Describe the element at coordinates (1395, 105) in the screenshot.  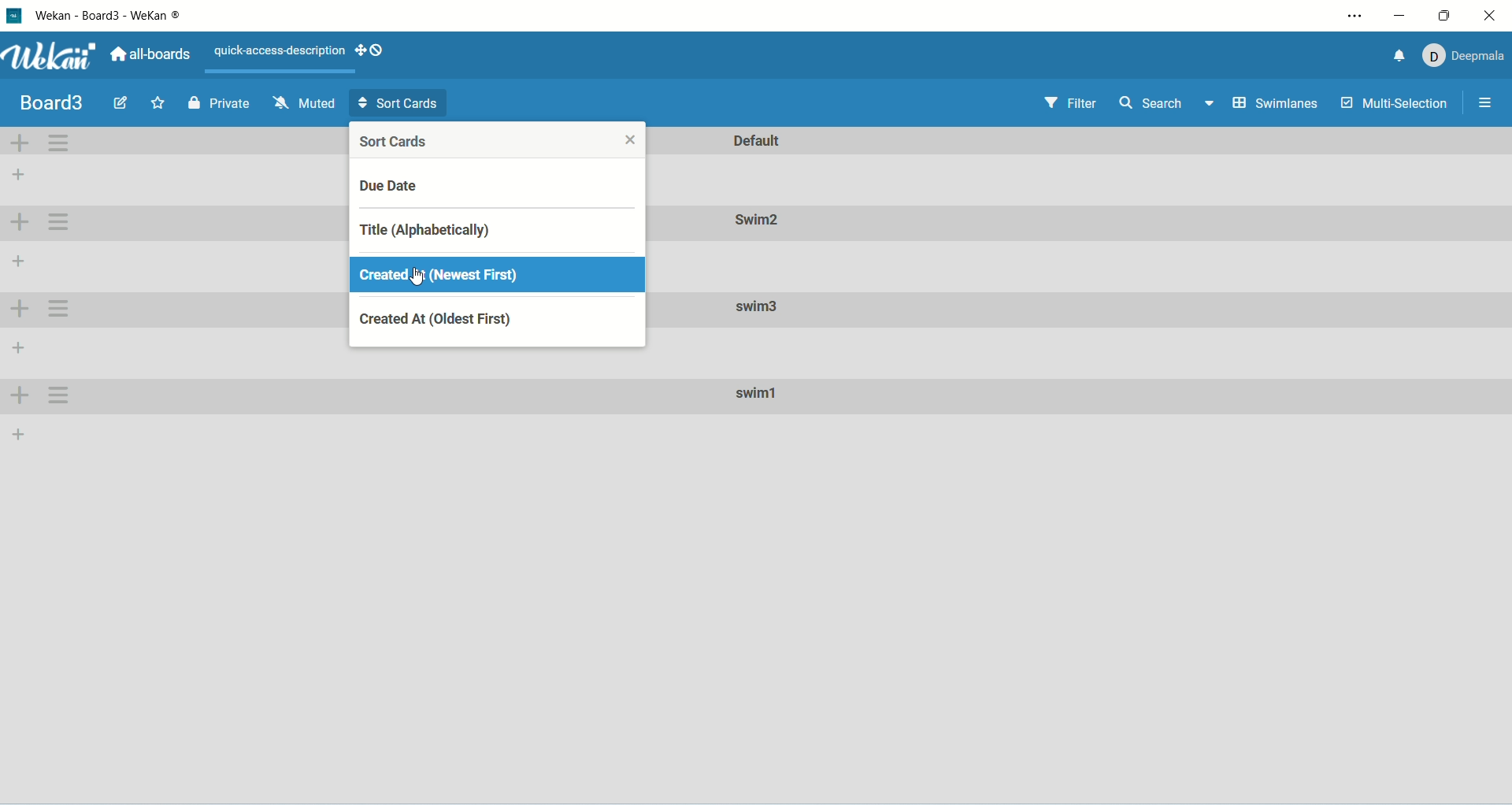
I see `multi-selection` at that location.